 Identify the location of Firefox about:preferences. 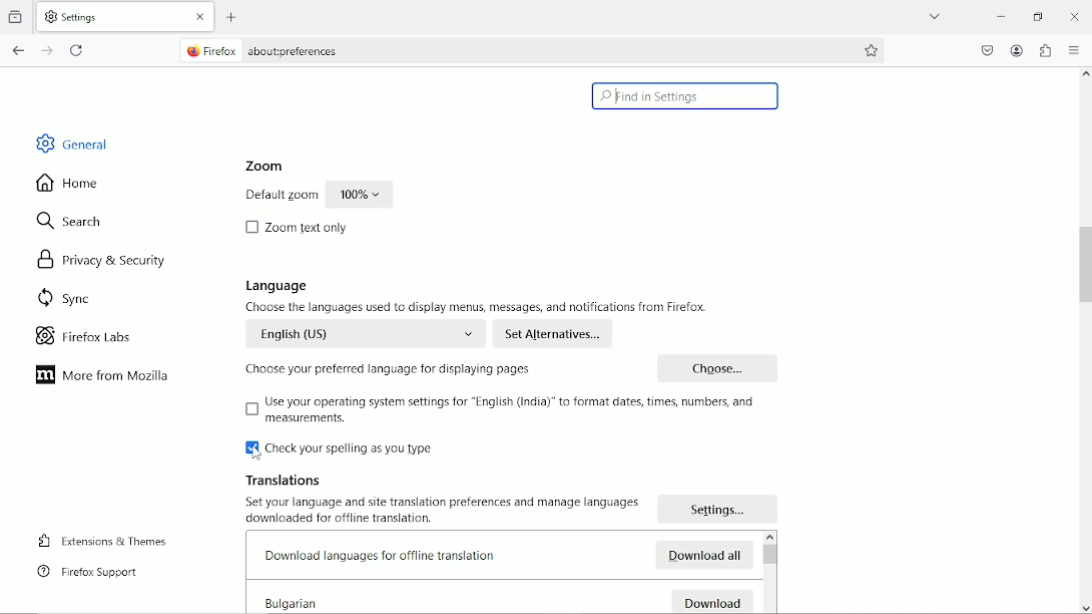
(264, 49).